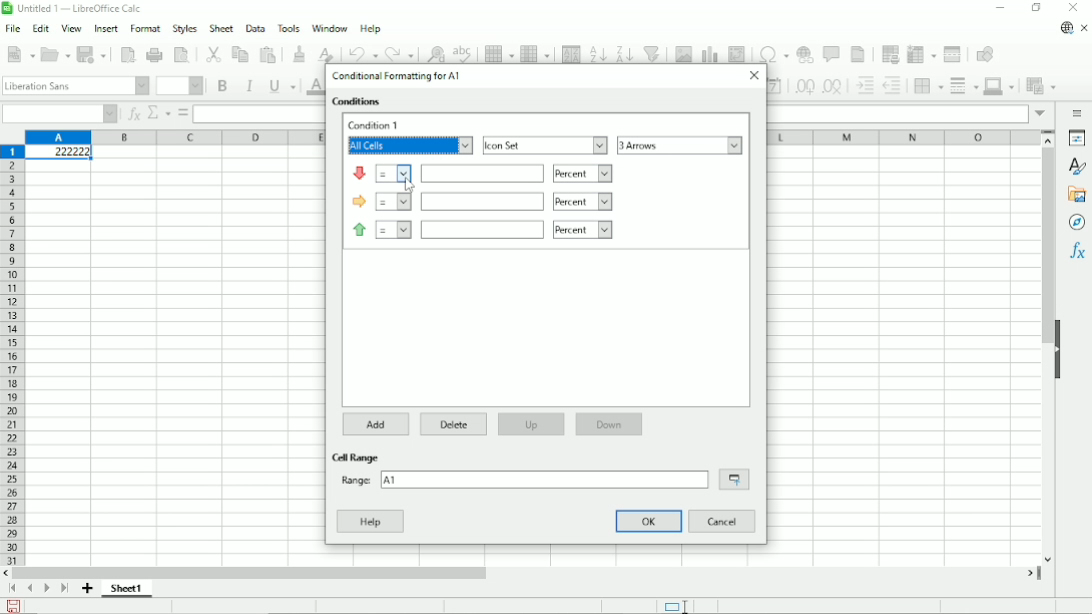  I want to click on Navigator, so click(1076, 222).